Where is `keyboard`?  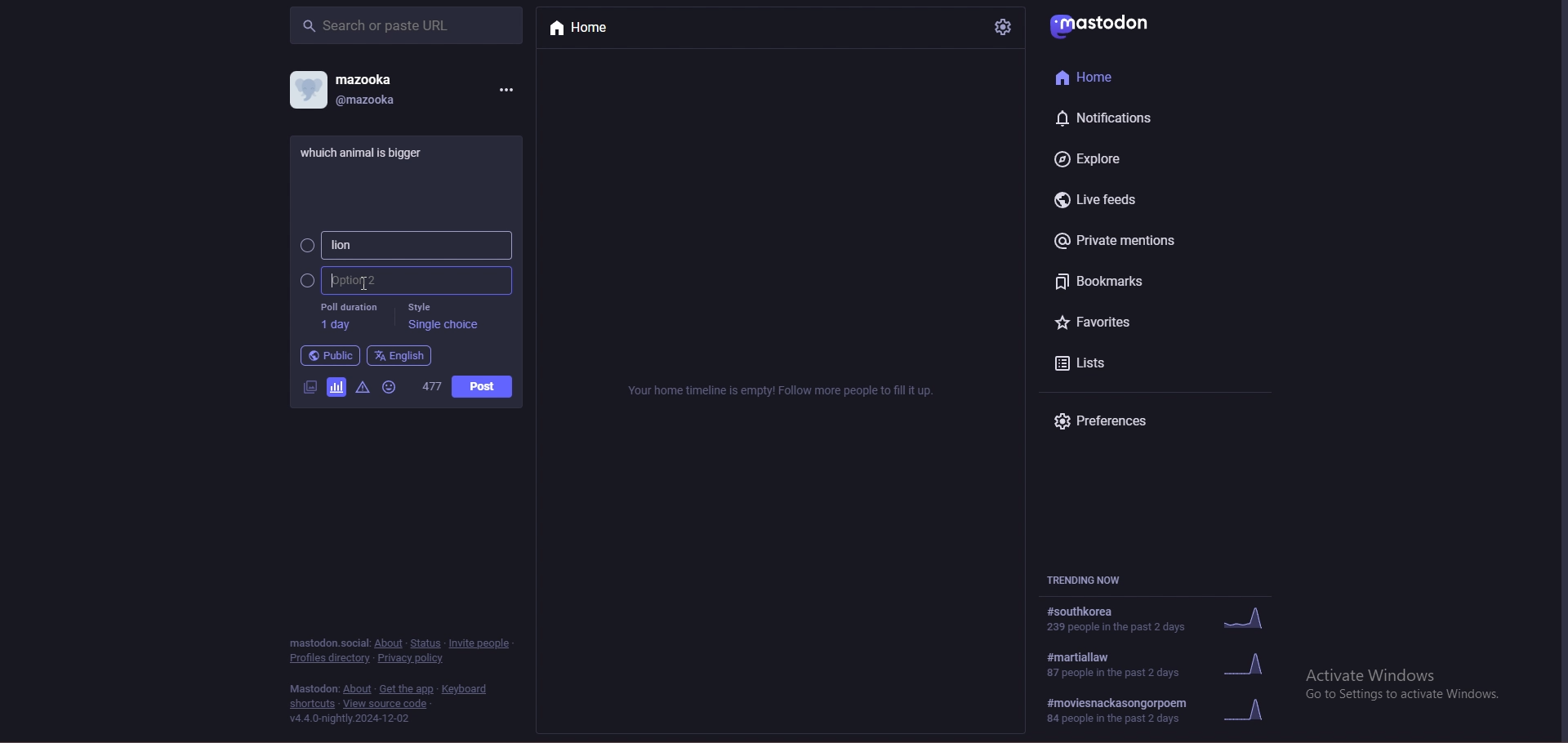 keyboard is located at coordinates (467, 689).